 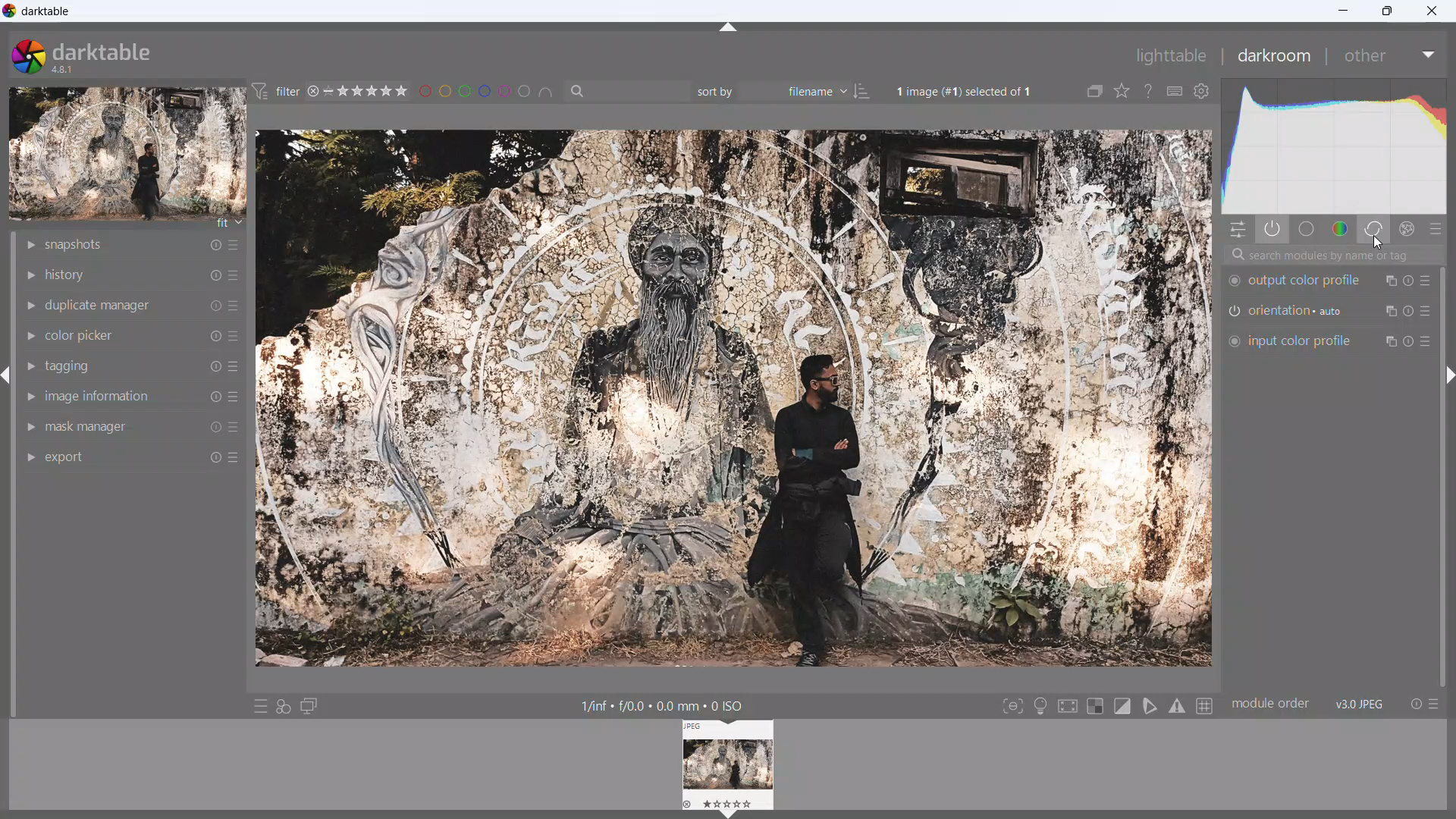 What do you see at coordinates (1178, 707) in the screenshot?
I see `toggle gamut checking` at bounding box center [1178, 707].